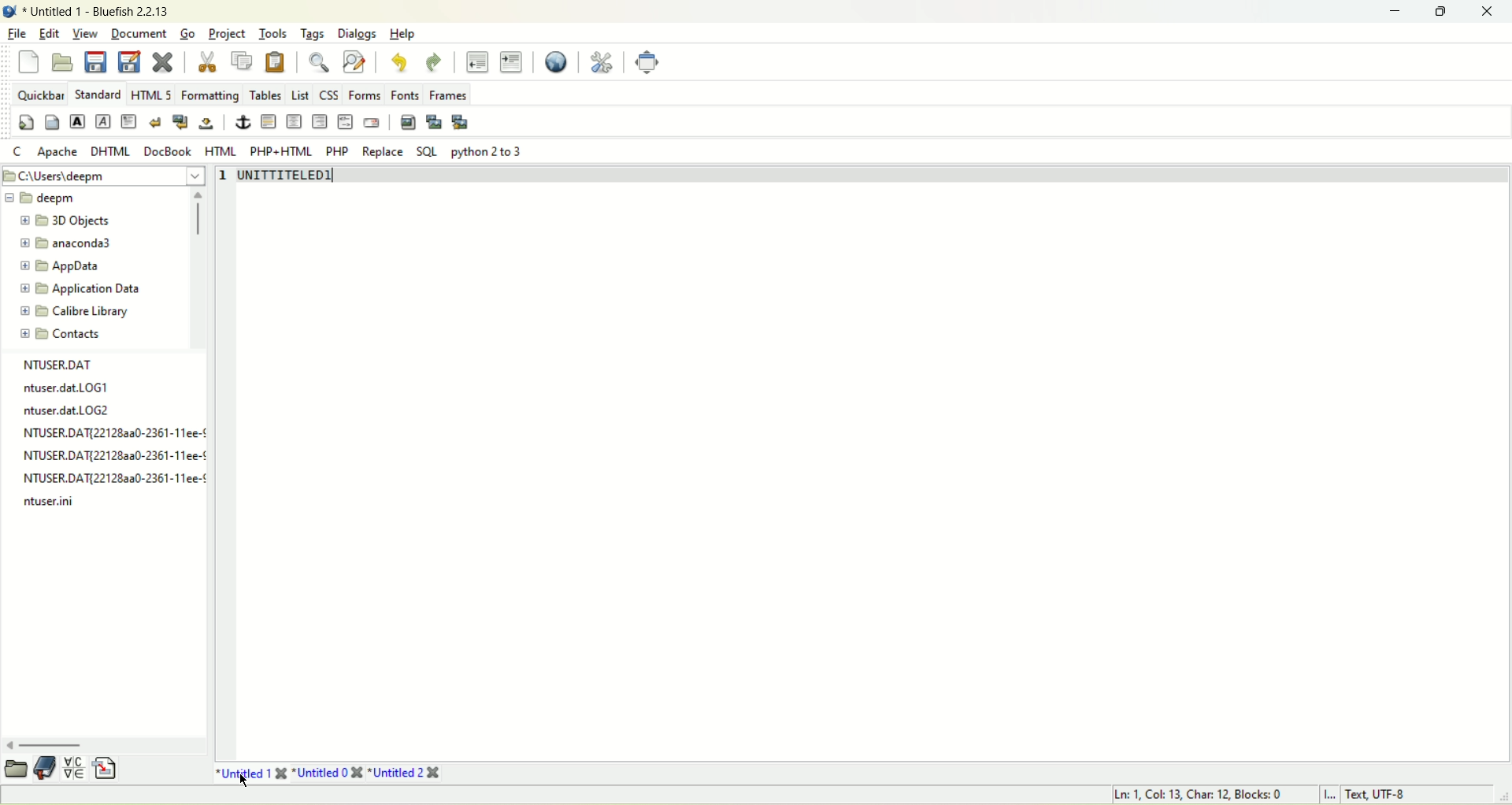  Describe the element at coordinates (461, 121) in the screenshot. I see `multi-thumbnail` at that location.